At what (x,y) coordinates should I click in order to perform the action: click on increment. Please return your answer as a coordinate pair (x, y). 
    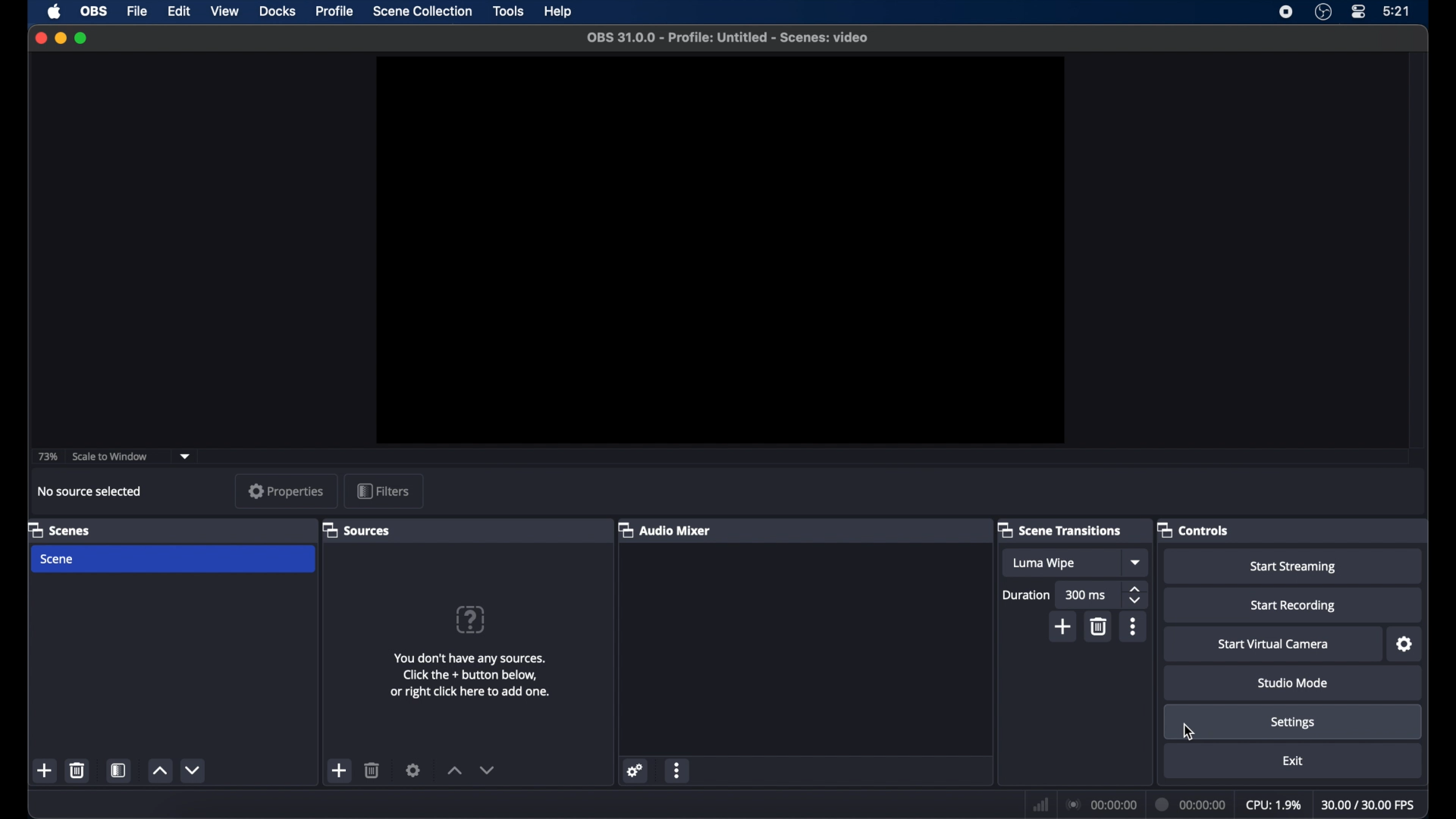
    Looking at the image, I should click on (158, 771).